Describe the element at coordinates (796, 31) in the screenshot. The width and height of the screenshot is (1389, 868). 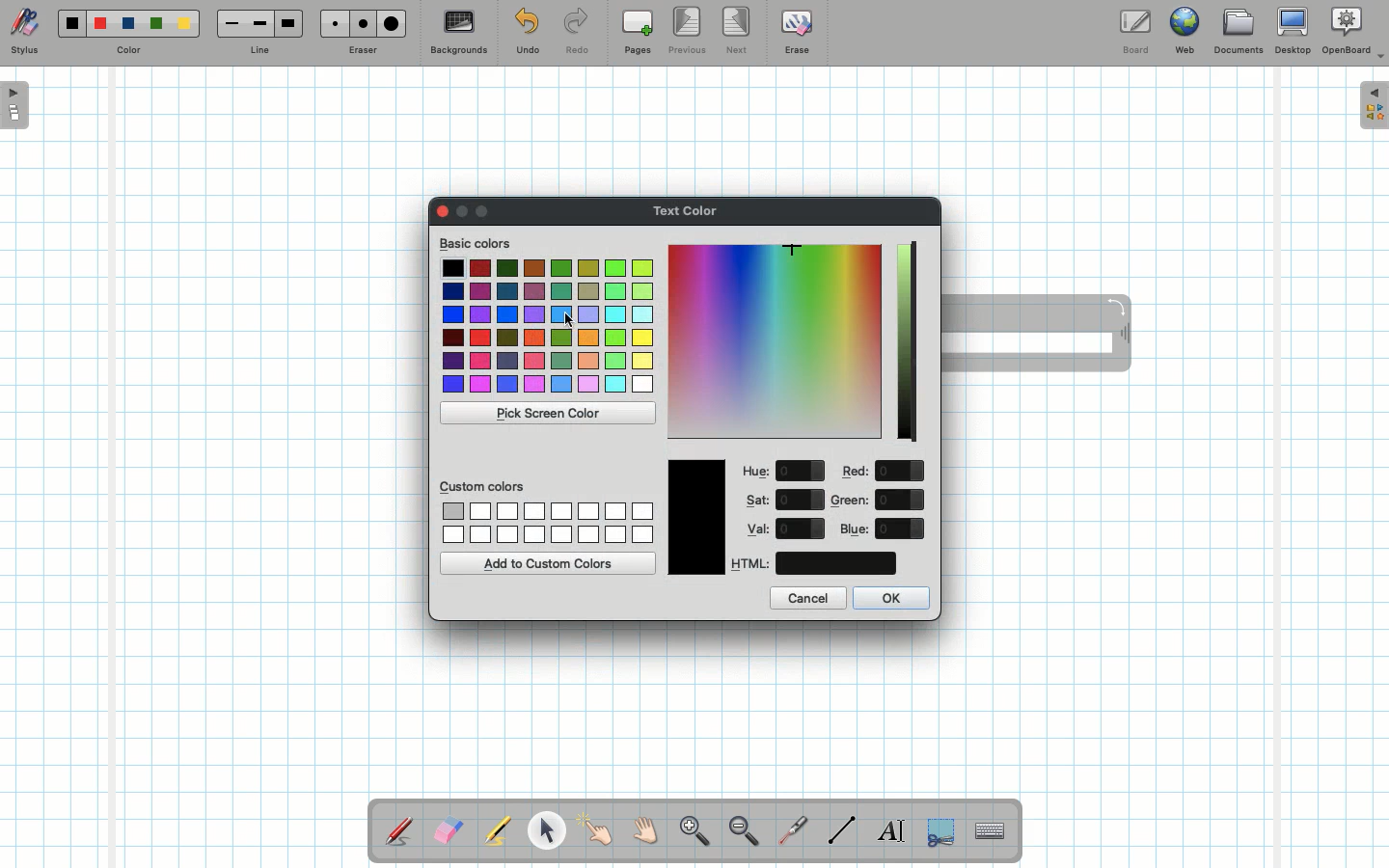
I see `Erase` at that location.